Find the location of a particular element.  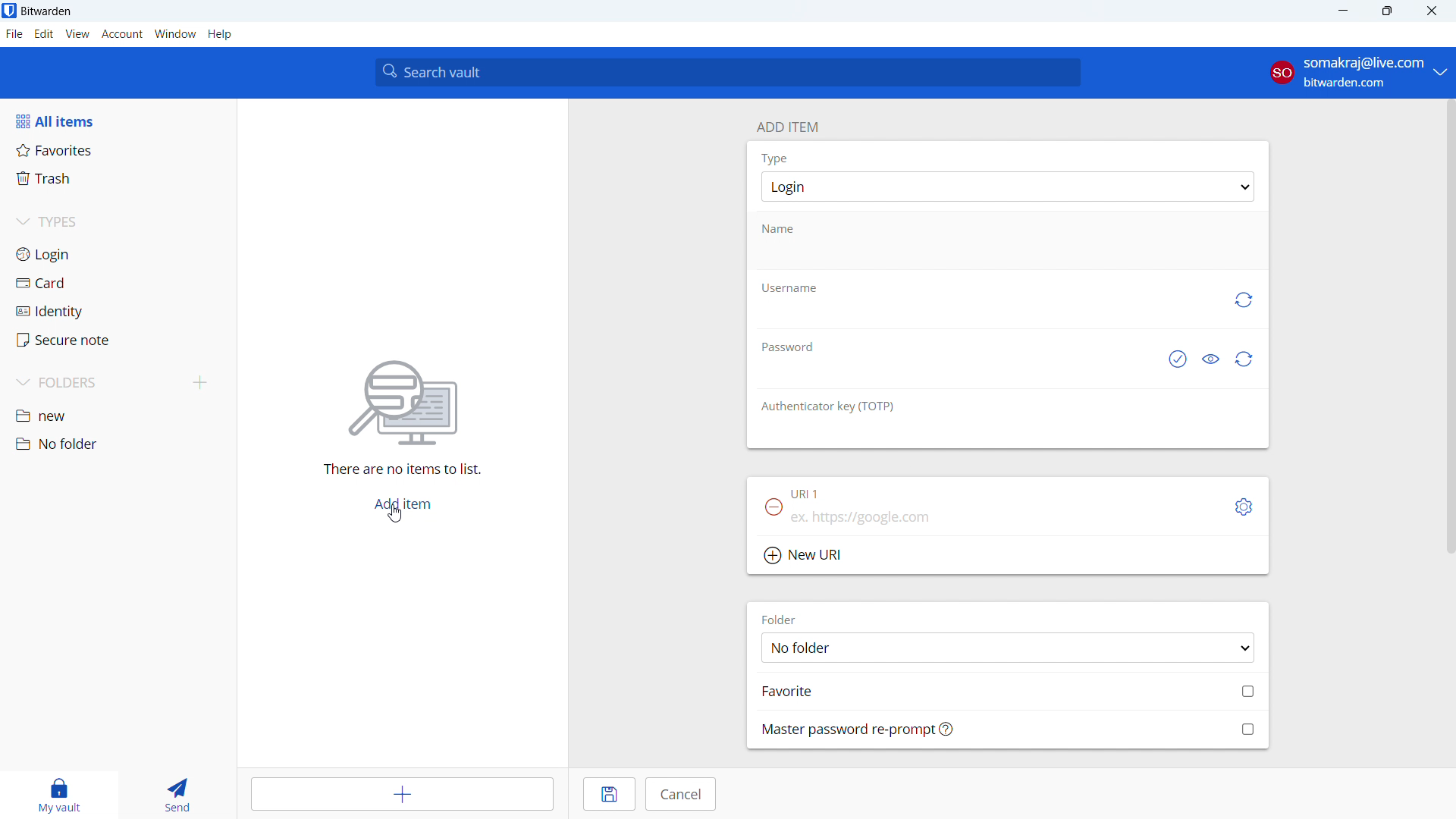

toggle options is located at coordinates (1244, 507).